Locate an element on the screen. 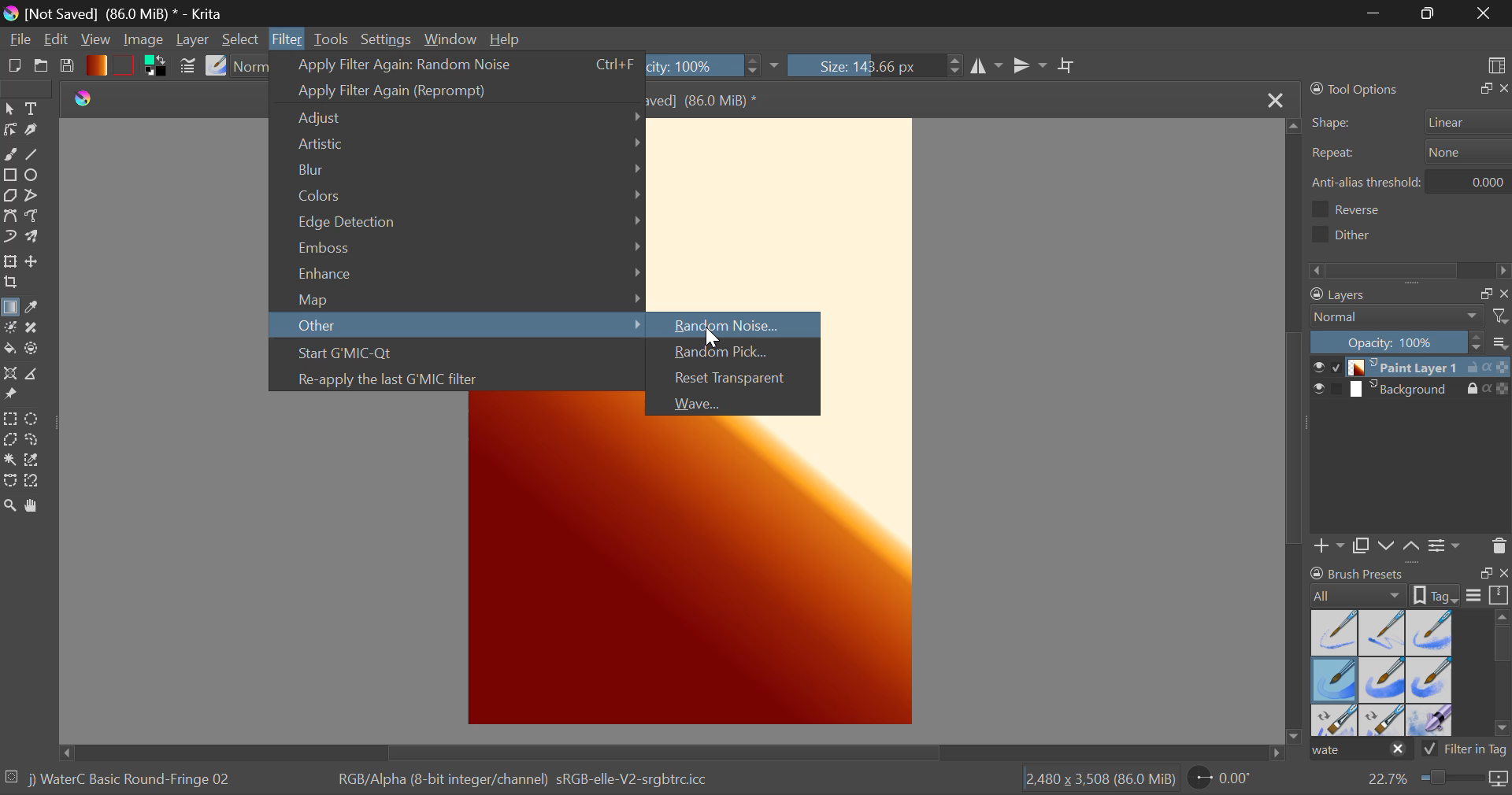  color scale is located at coordinates (1503, 391).